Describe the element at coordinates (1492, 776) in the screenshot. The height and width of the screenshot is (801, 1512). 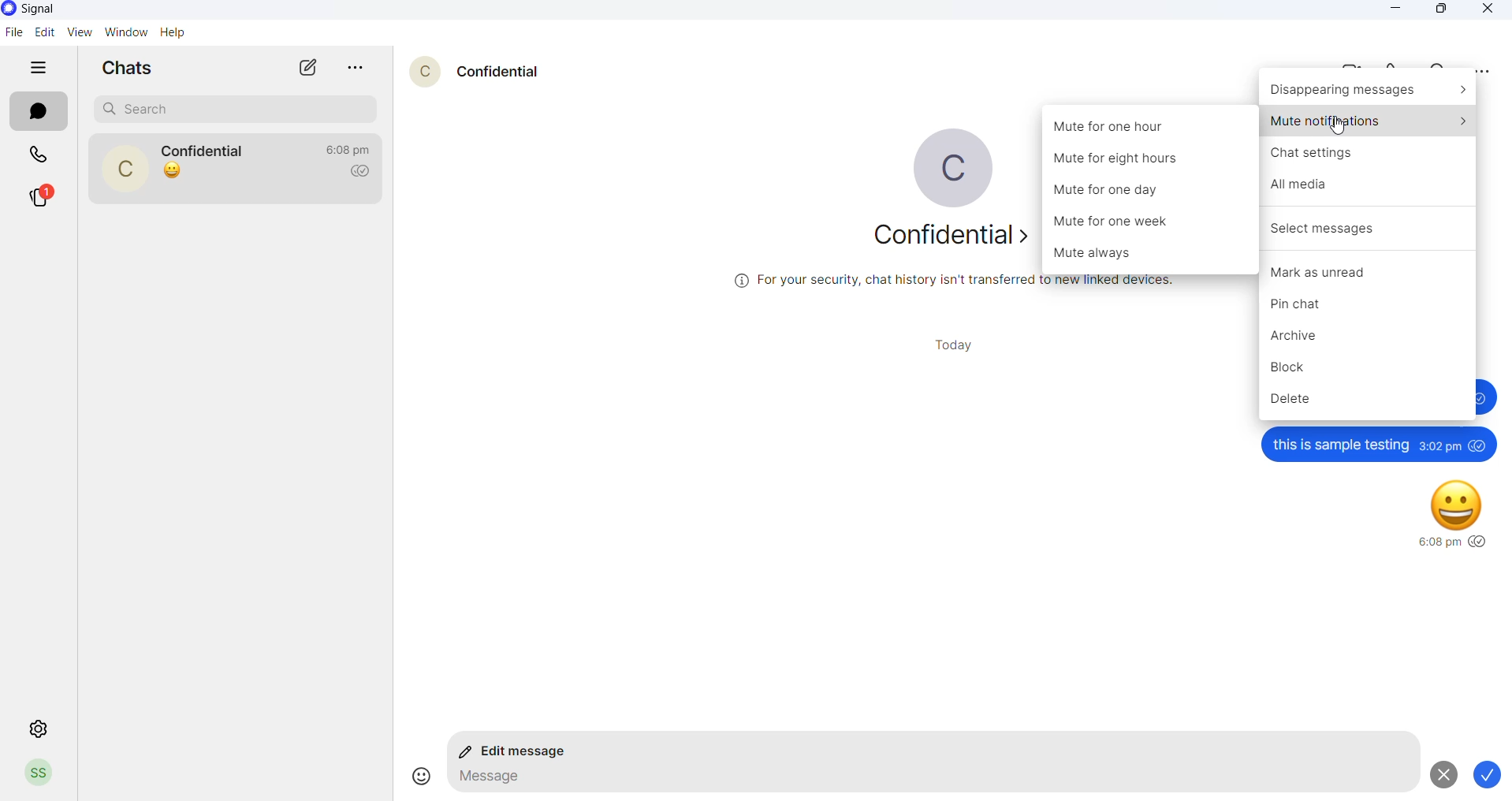
I see `ok` at that location.